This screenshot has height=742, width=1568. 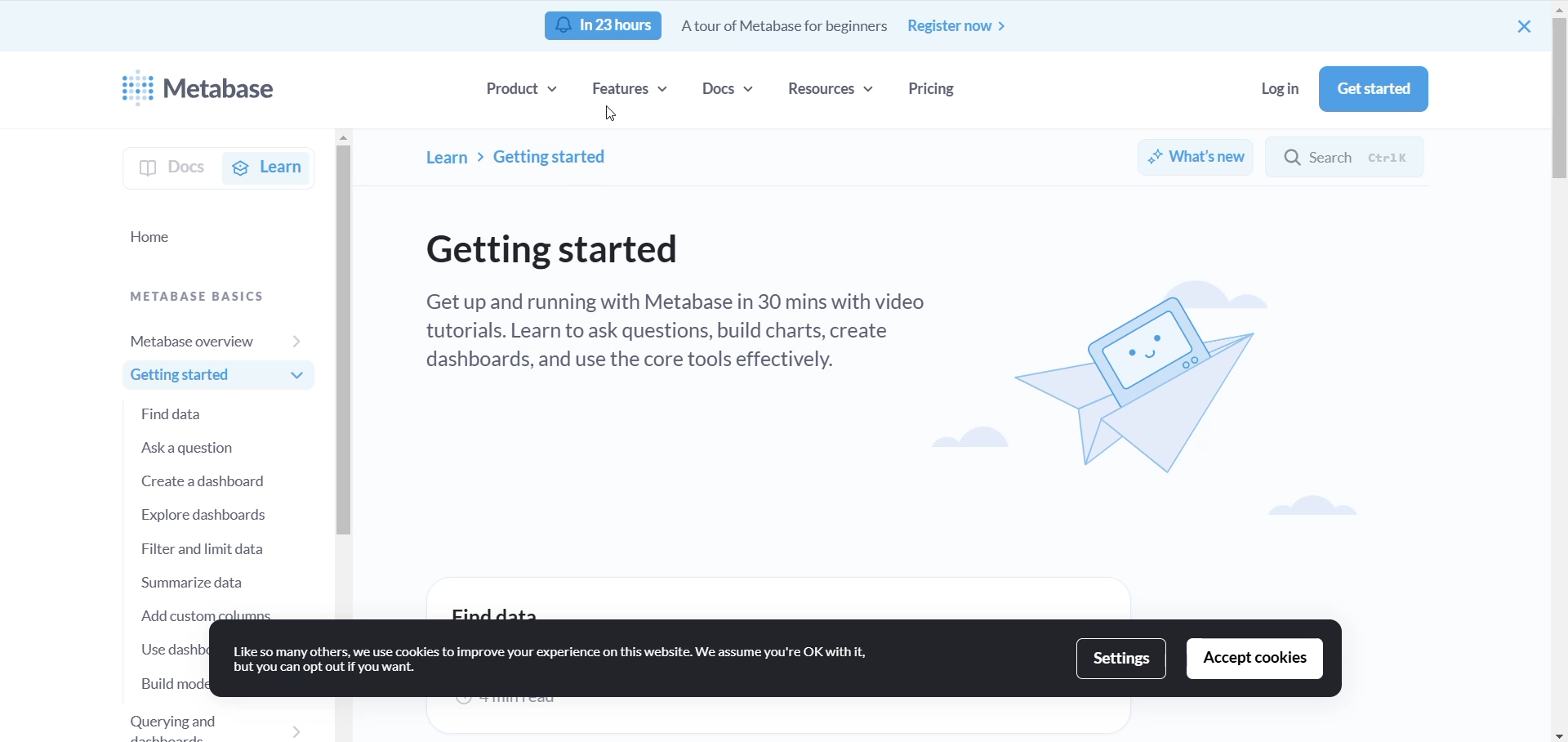 I want to click on accept cookies, so click(x=1255, y=659).